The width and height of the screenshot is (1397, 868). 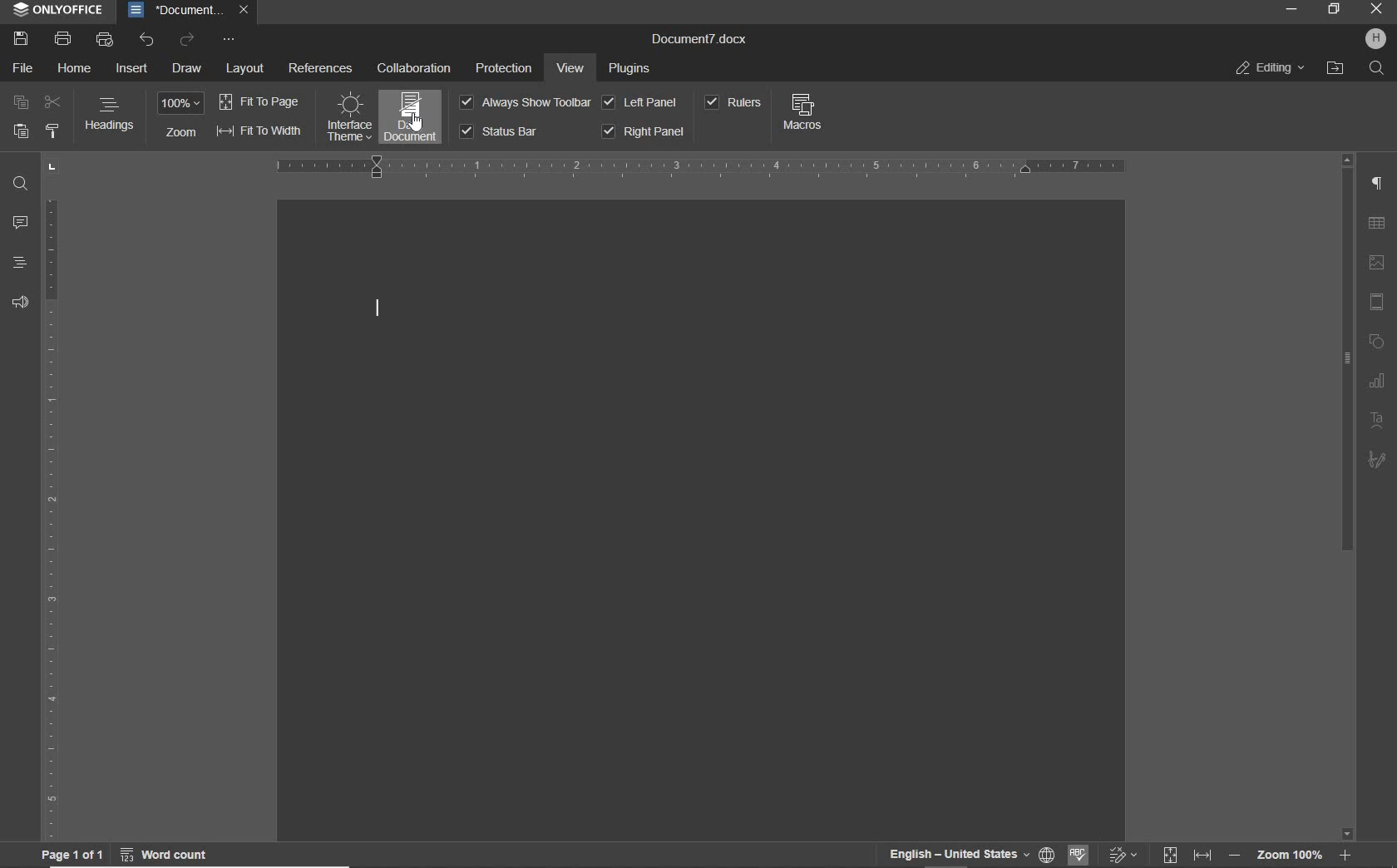 What do you see at coordinates (377, 308) in the screenshot?
I see `CURSOR POSITION AFTER CHANGING INTERFACE THEME` at bounding box center [377, 308].